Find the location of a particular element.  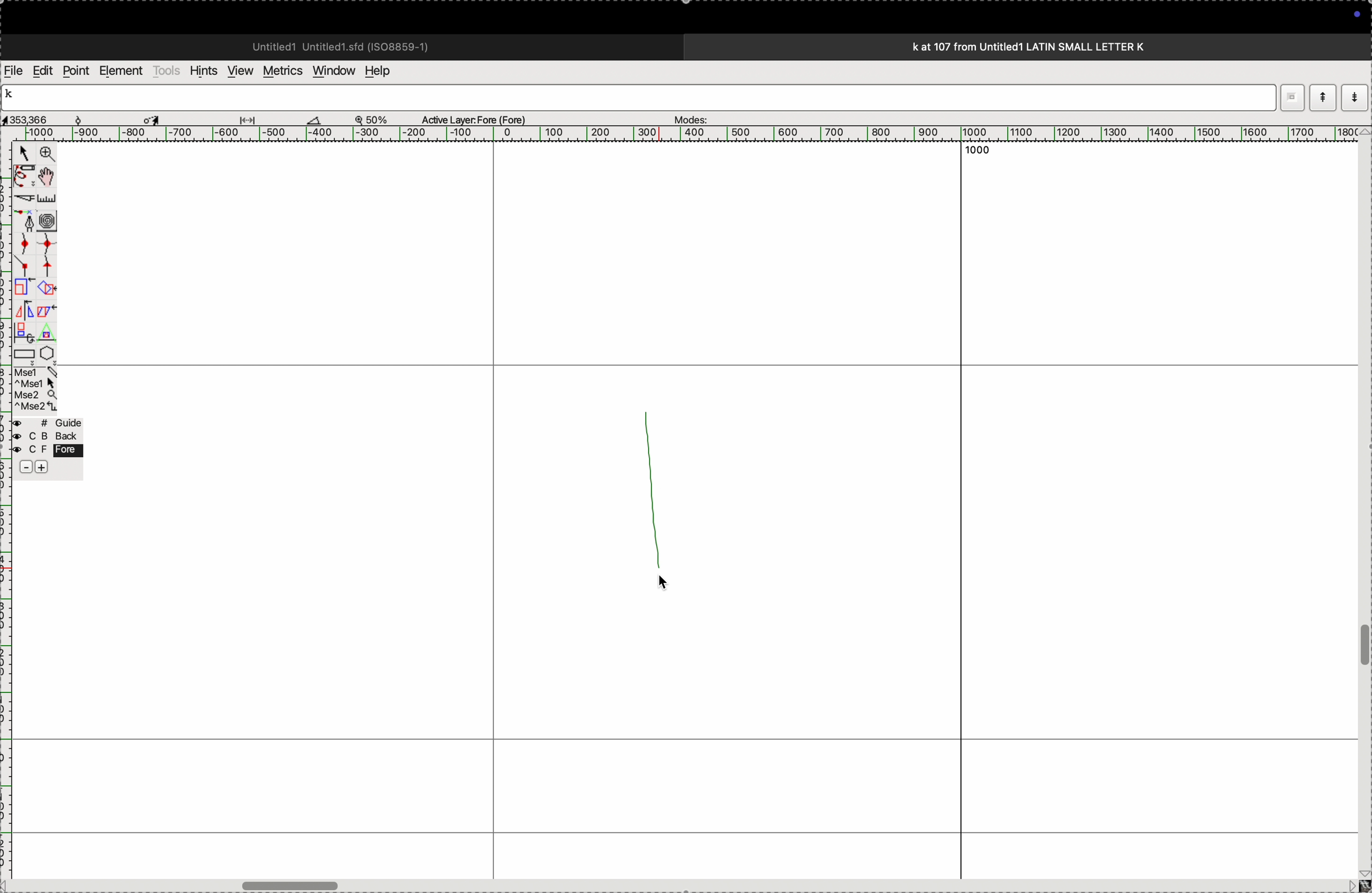

modes is located at coordinates (1358, 97).